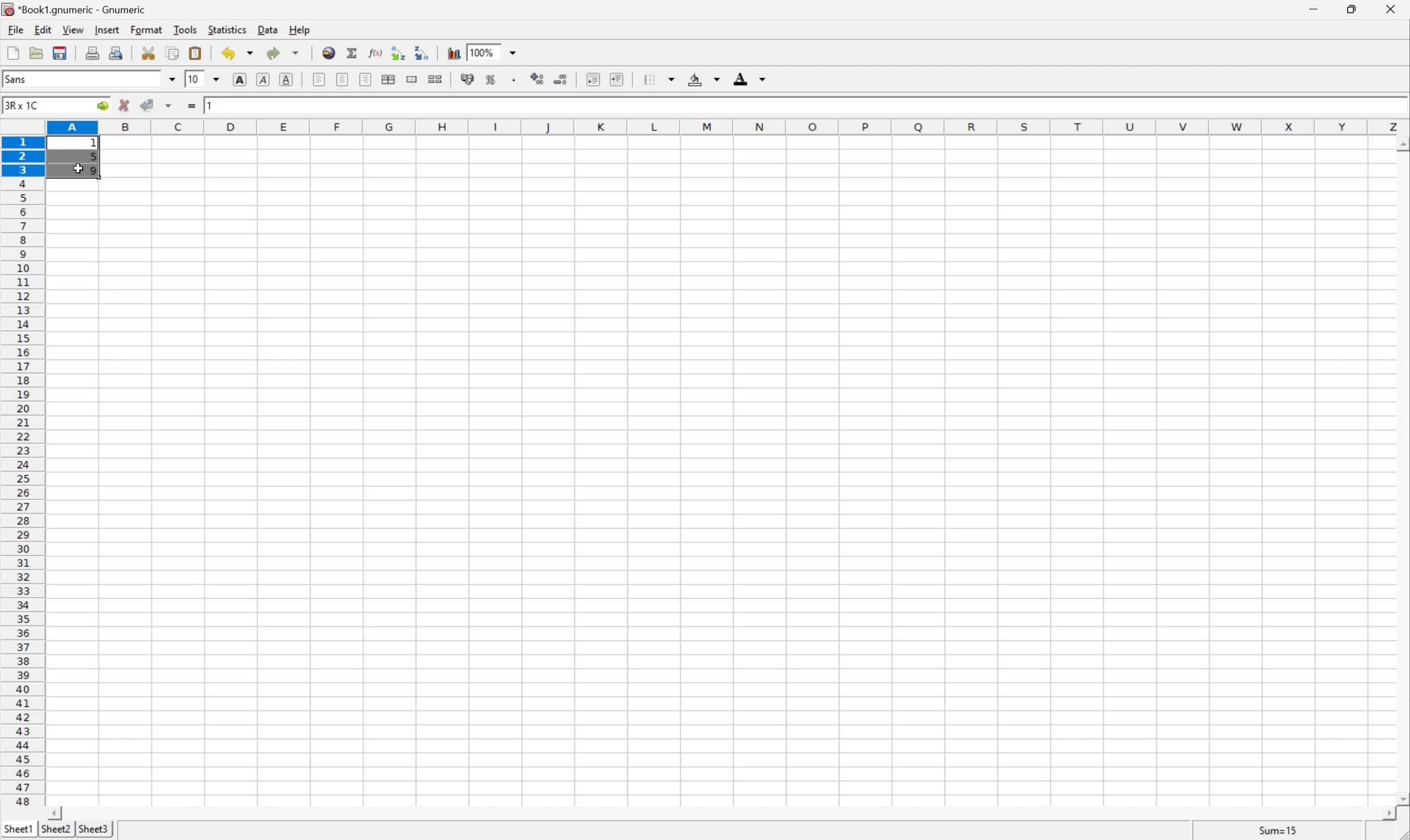  Describe the element at coordinates (559, 79) in the screenshot. I see `decrease number of decimals displayed` at that location.